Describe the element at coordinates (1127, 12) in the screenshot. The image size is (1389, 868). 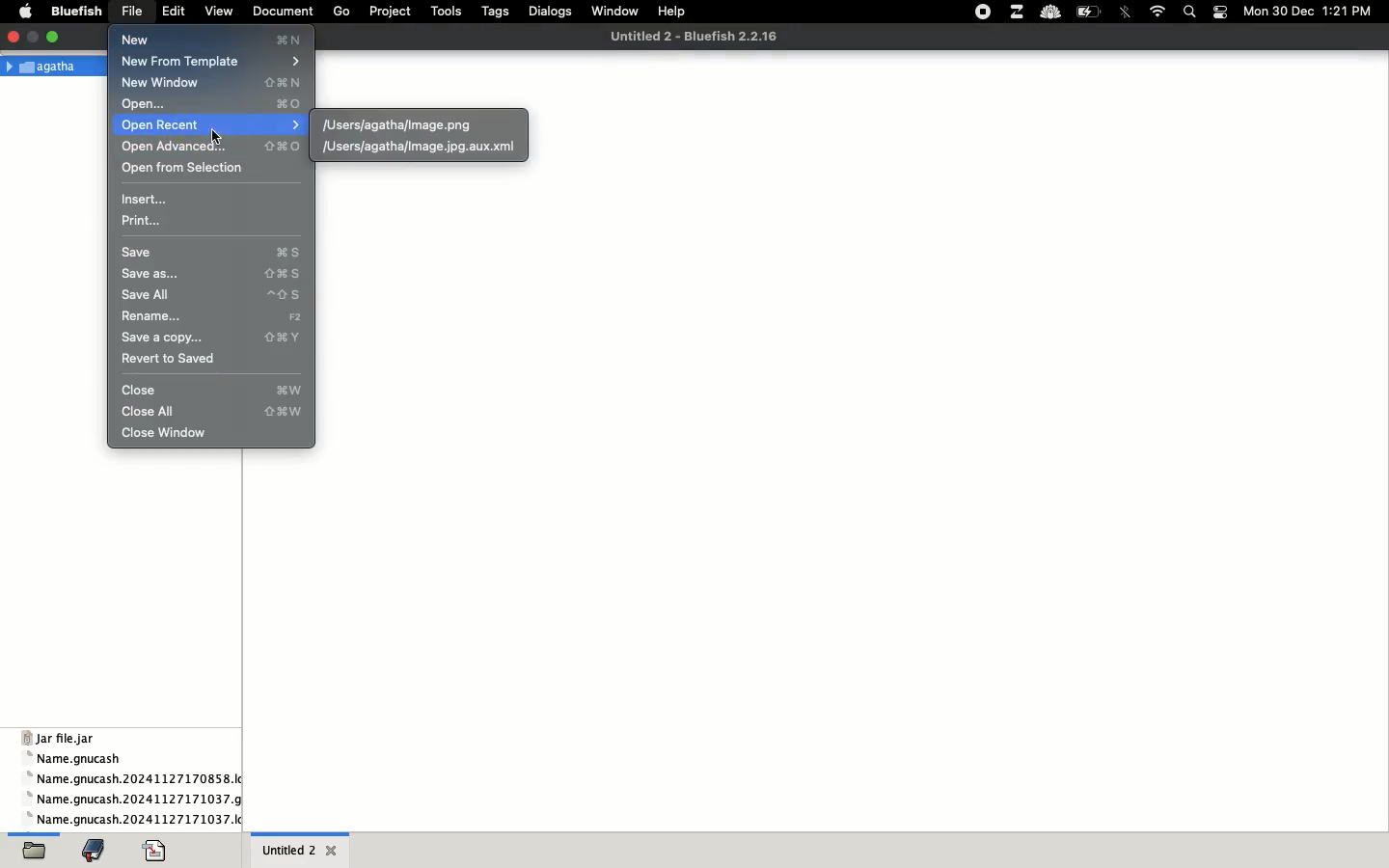
I see `bluetooth` at that location.